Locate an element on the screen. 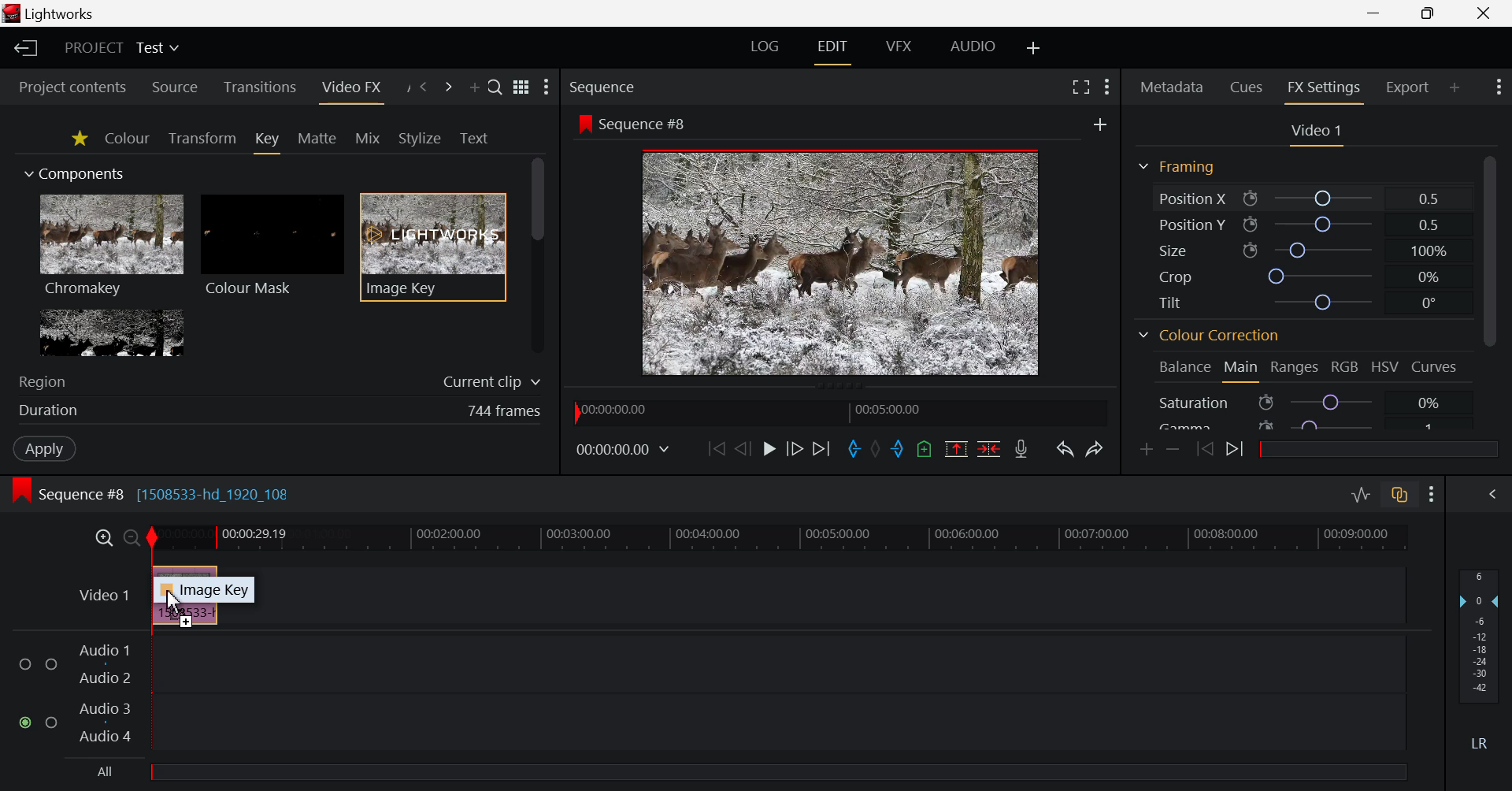  Balance is located at coordinates (1187, 366).